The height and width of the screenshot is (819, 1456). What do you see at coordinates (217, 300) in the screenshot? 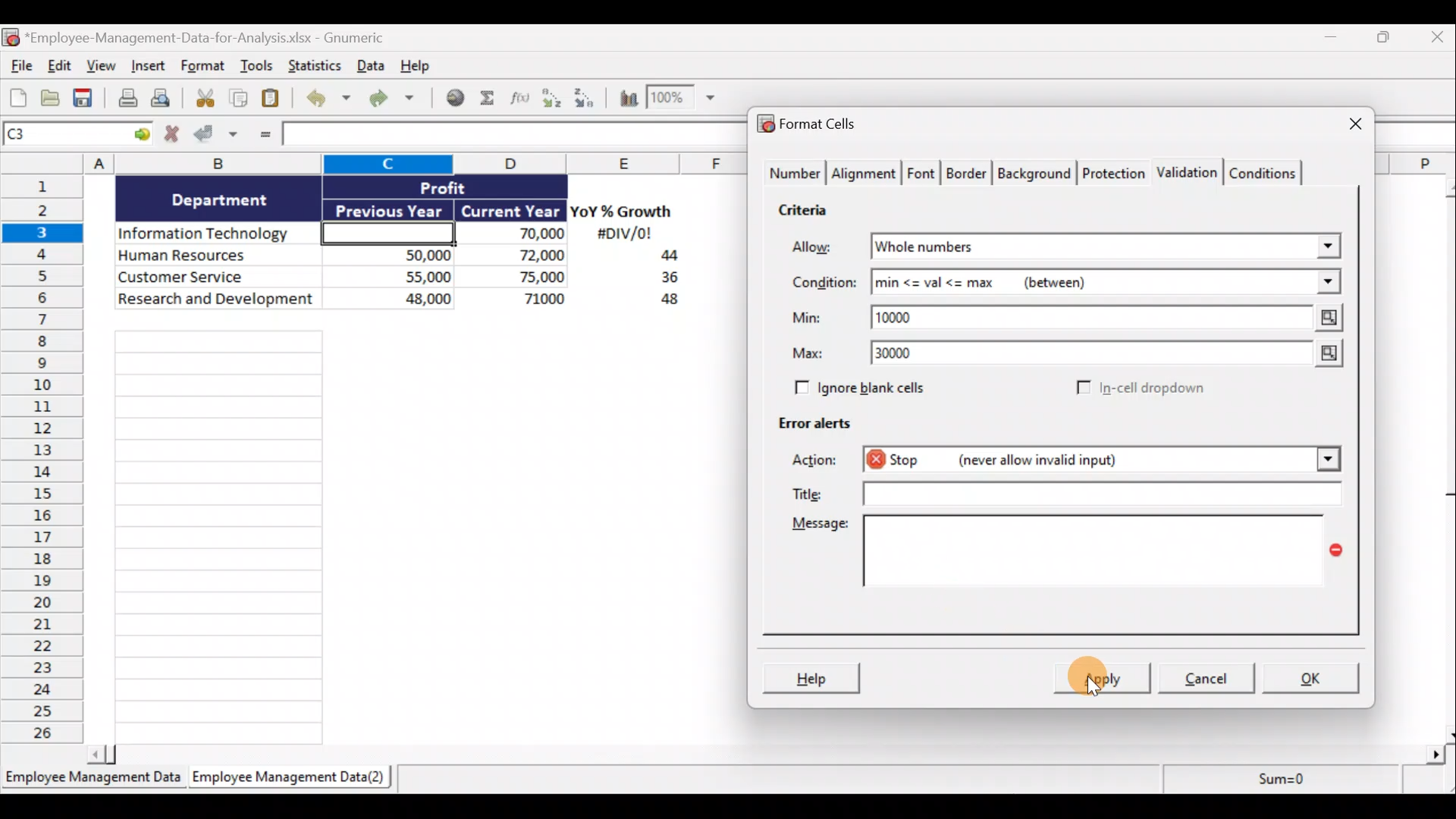
I see `Research and development` at bounding box center [217, 300].